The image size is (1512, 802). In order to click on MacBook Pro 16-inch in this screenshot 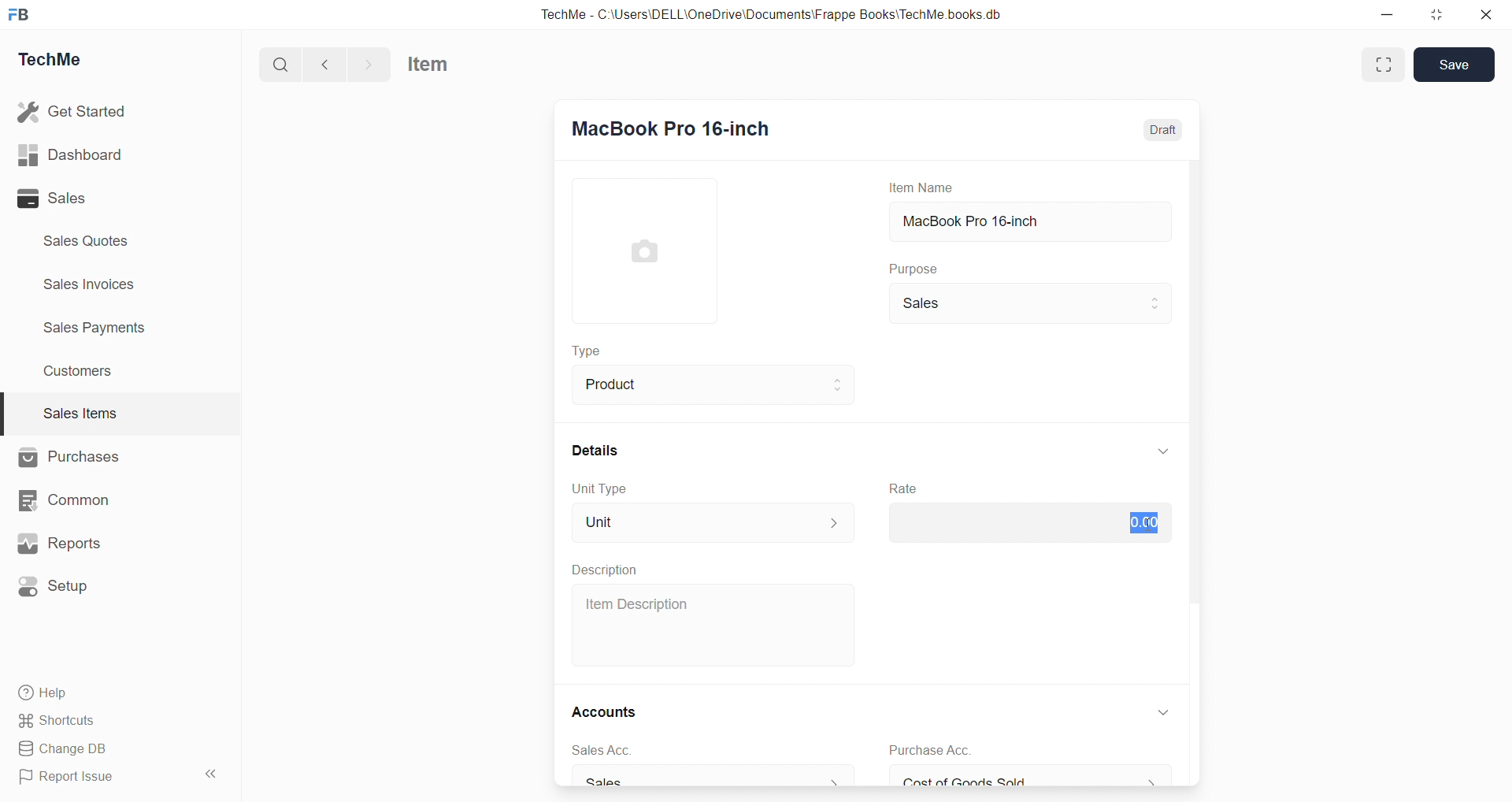, I will do `click(1028, 221)`.